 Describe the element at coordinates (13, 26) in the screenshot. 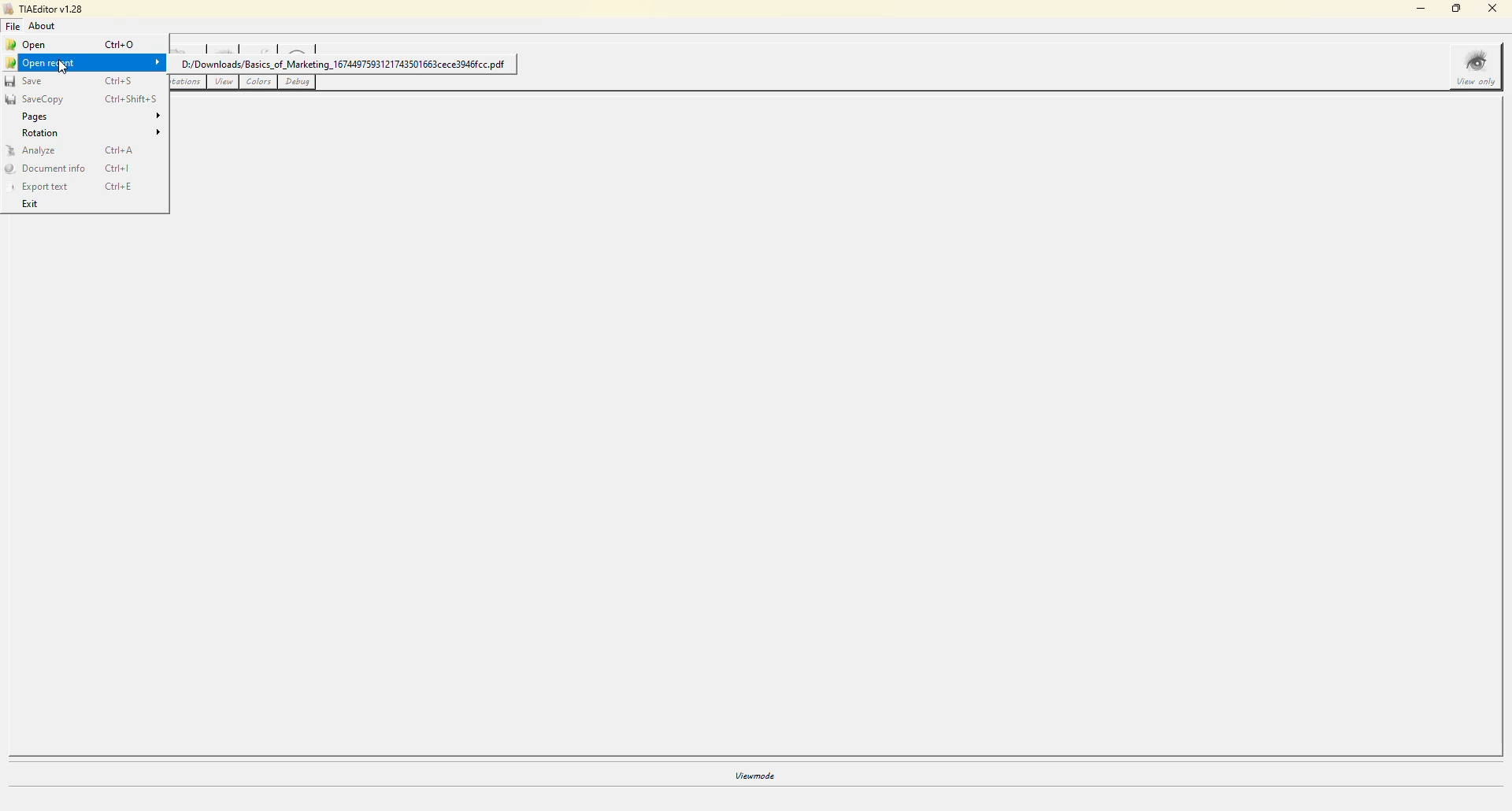

I see `file` at that location.